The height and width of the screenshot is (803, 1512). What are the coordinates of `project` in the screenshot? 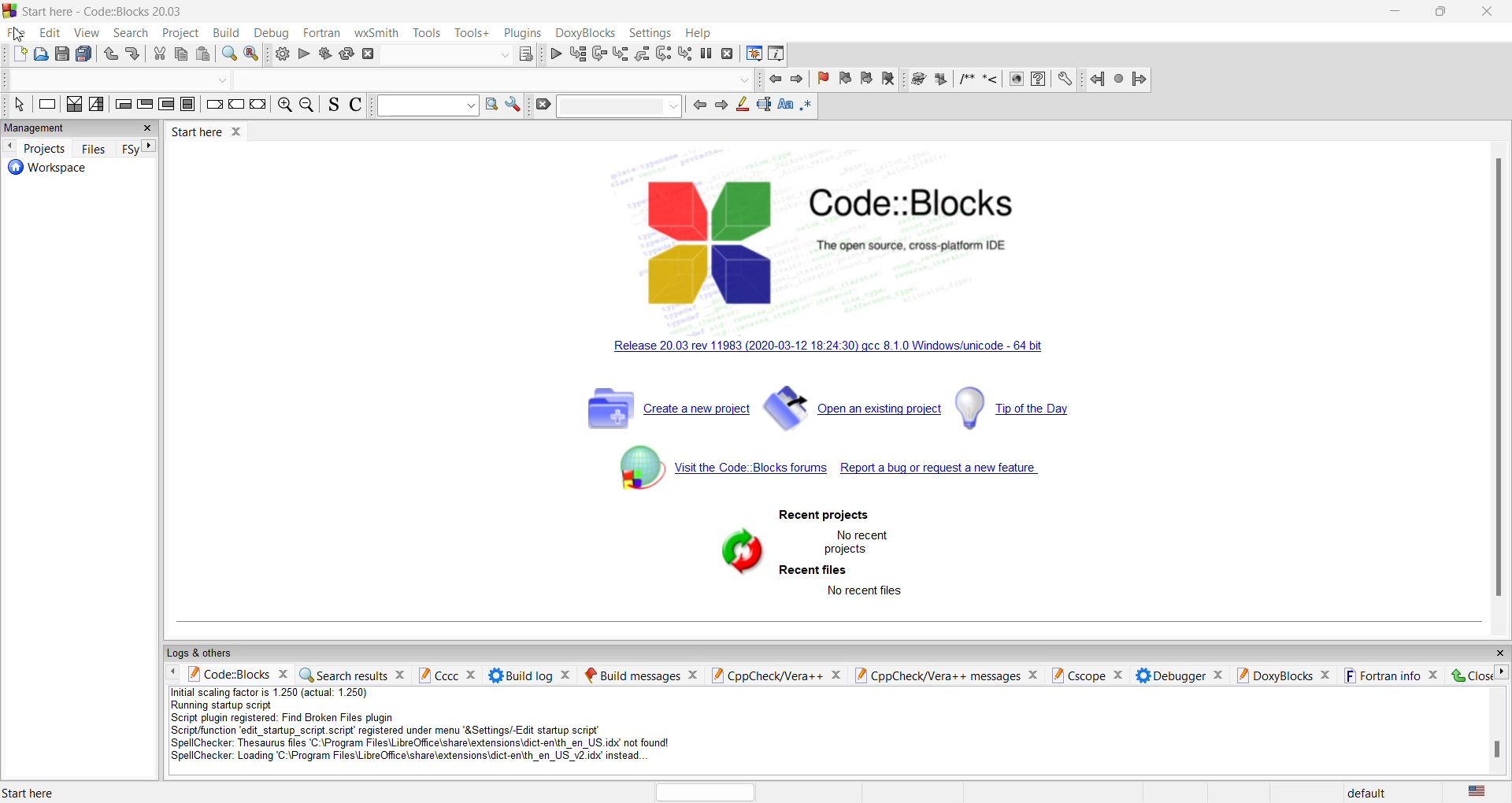 It's located at (179, 33).